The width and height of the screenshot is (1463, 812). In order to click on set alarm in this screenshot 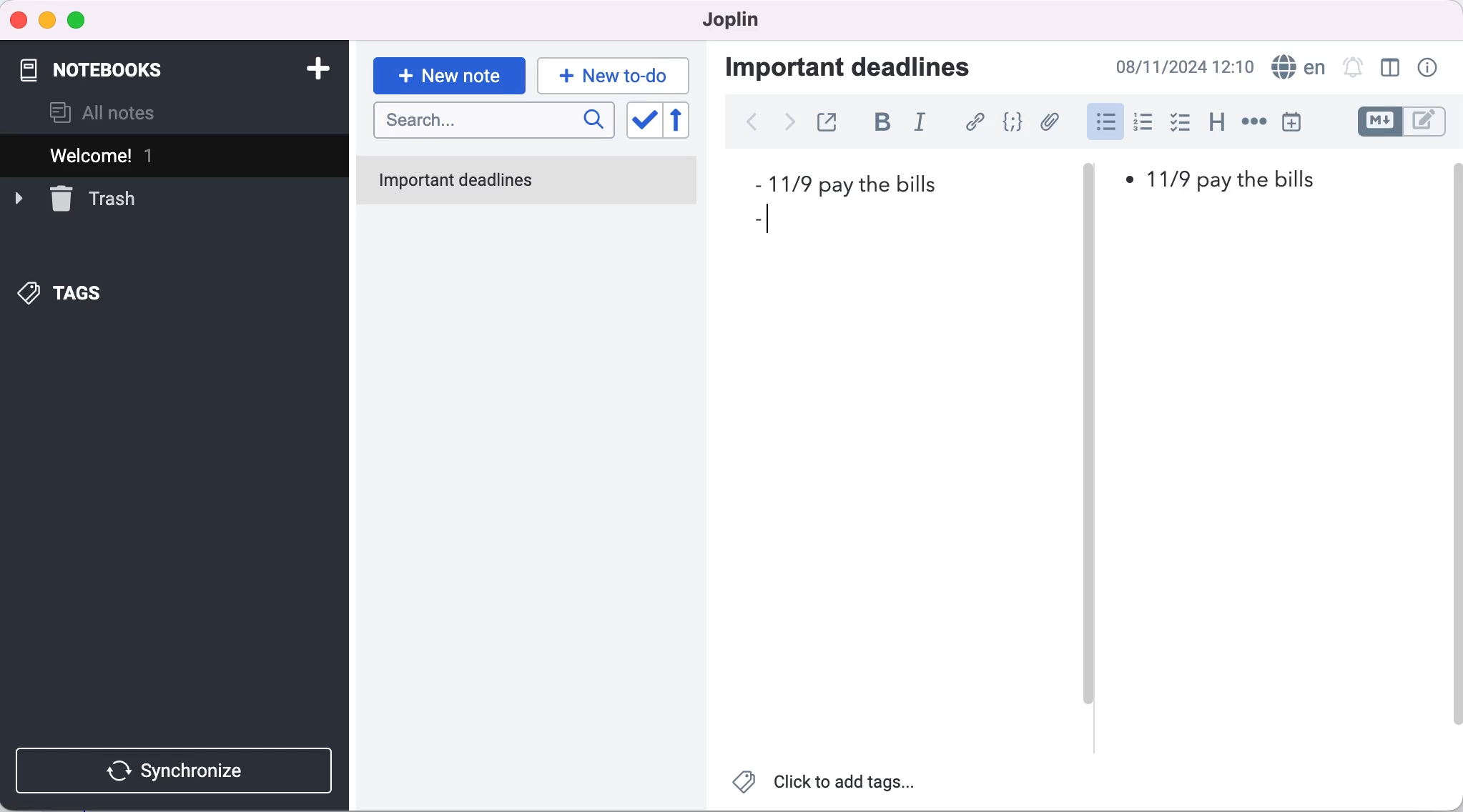, I will do `click(1349, 69)`.